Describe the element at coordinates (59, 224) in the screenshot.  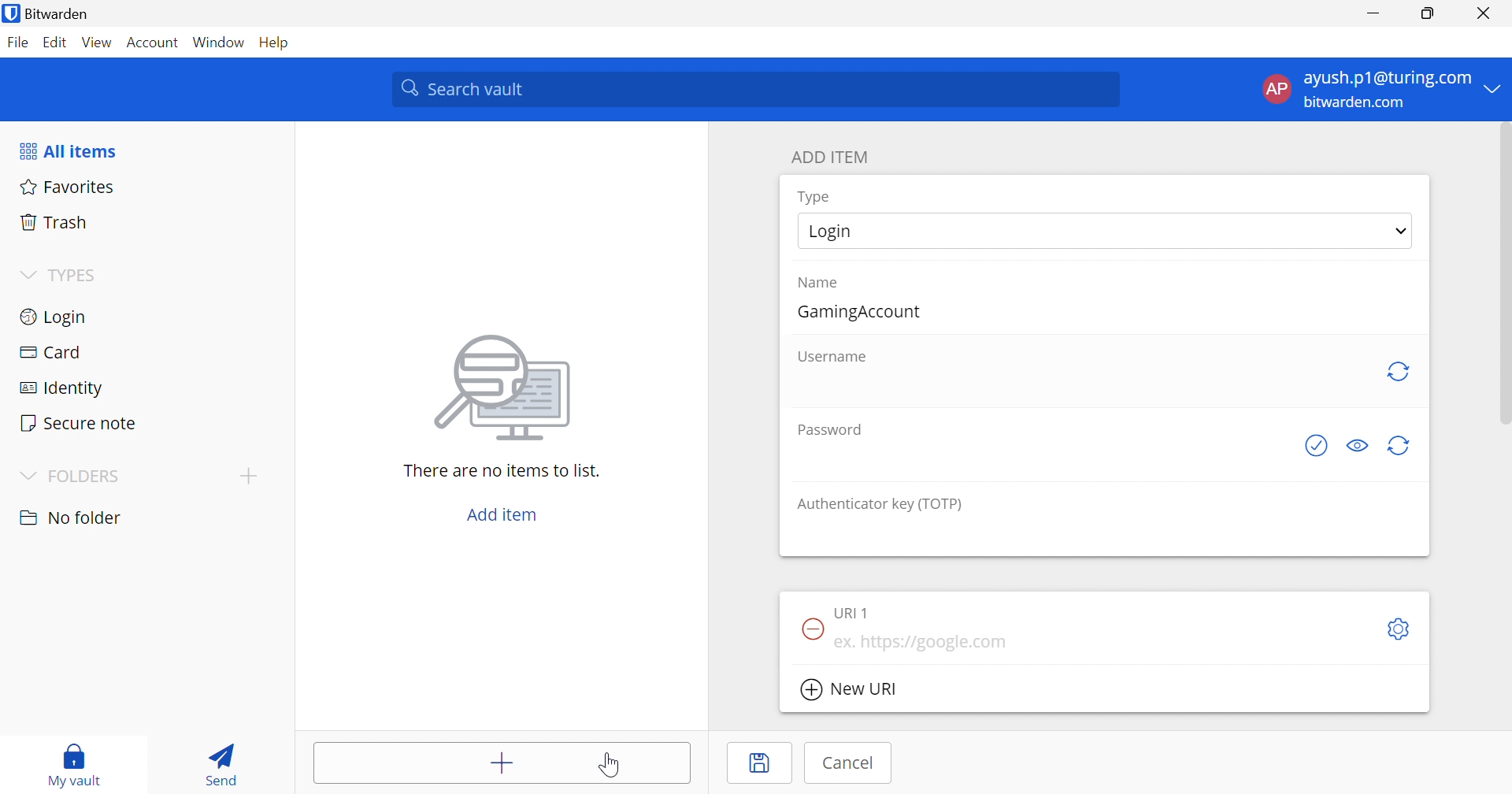
I see `Trash` at that location.